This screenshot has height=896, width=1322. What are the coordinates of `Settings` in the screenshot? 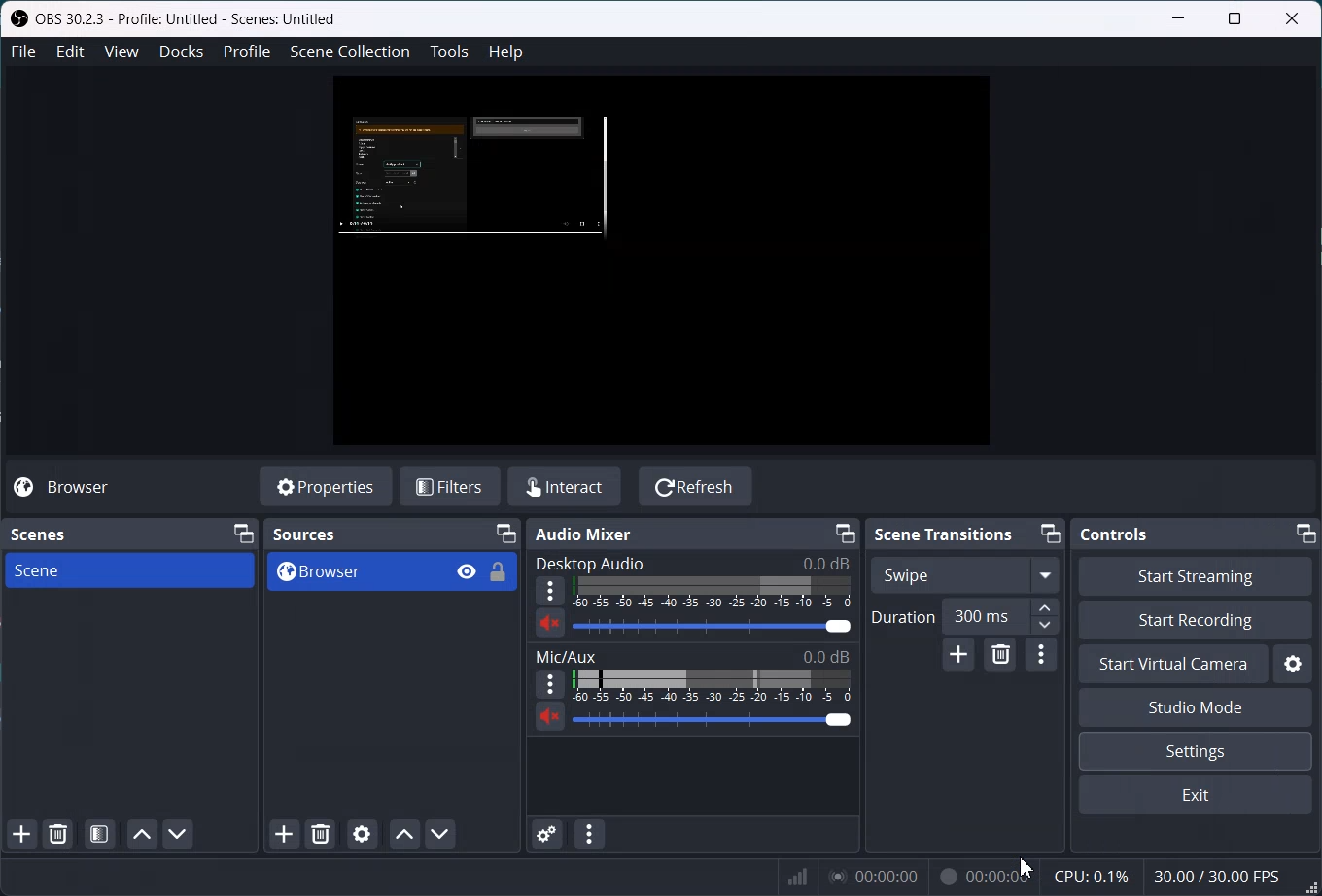 It's located at (1294, 664).